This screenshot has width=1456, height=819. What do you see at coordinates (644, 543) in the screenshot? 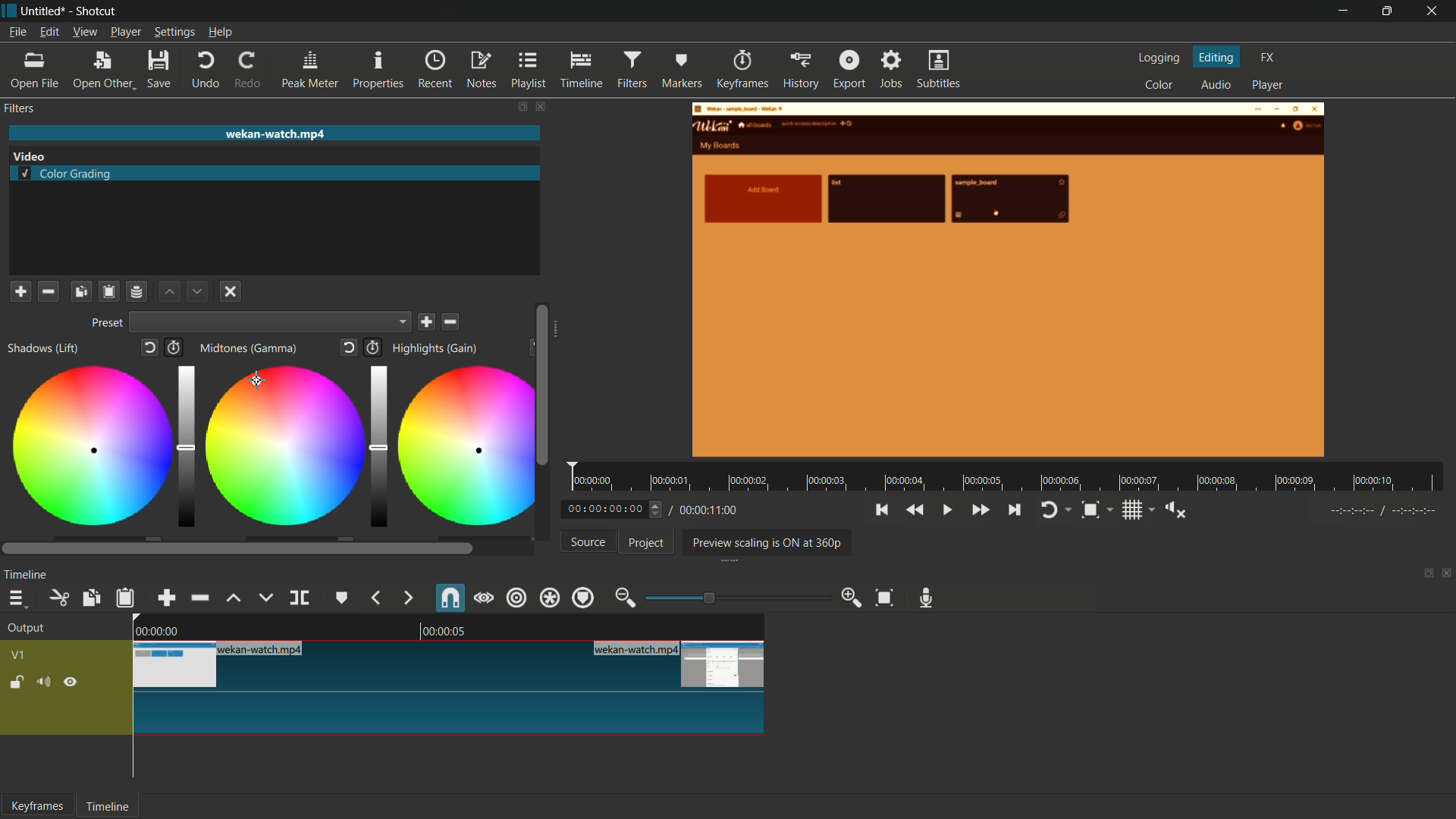
I see `project` at bounding box center [644, 543].